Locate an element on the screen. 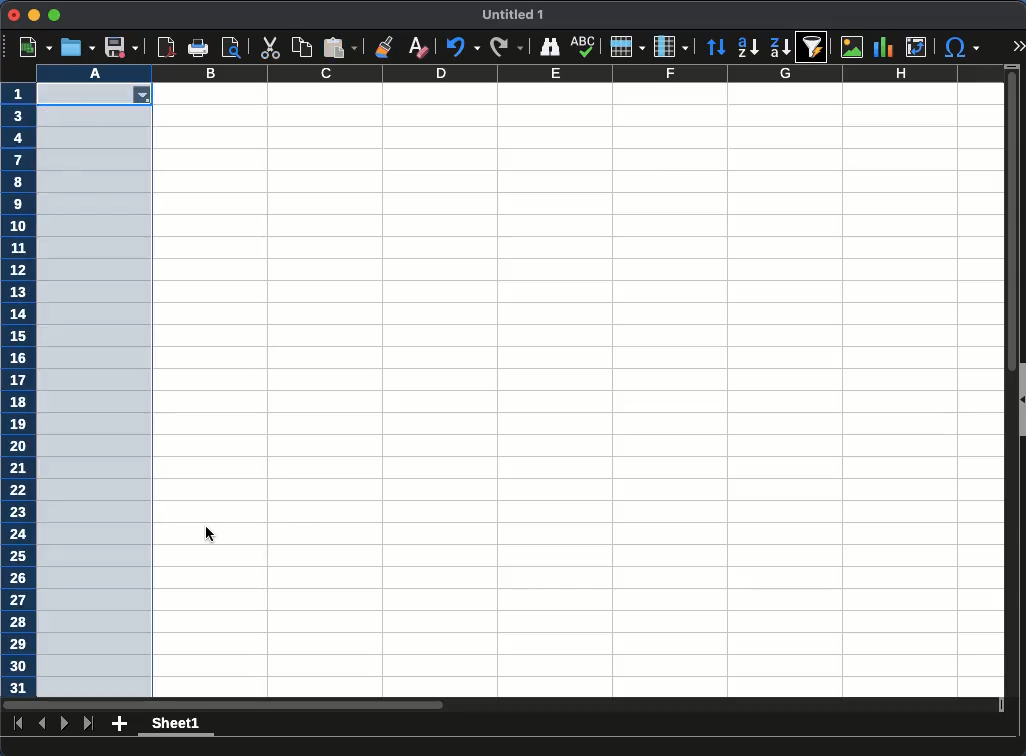 The width and height of the screenshot is (1026, 756). clear formatting is located at coordinates (417, 48).